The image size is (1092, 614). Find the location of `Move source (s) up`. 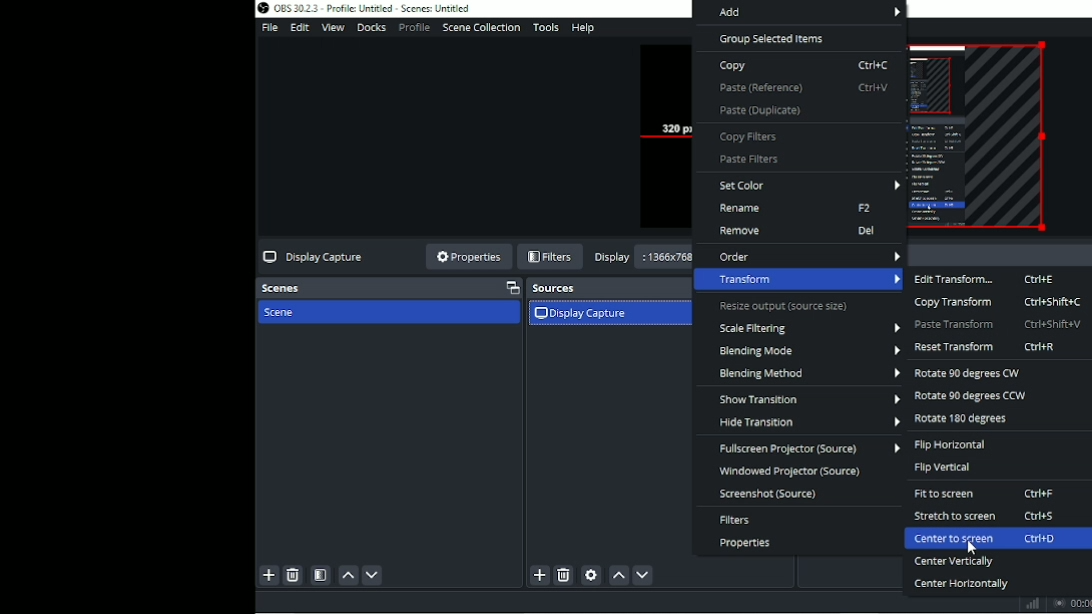

Move source (s) up is located at coordinates (618, 575).